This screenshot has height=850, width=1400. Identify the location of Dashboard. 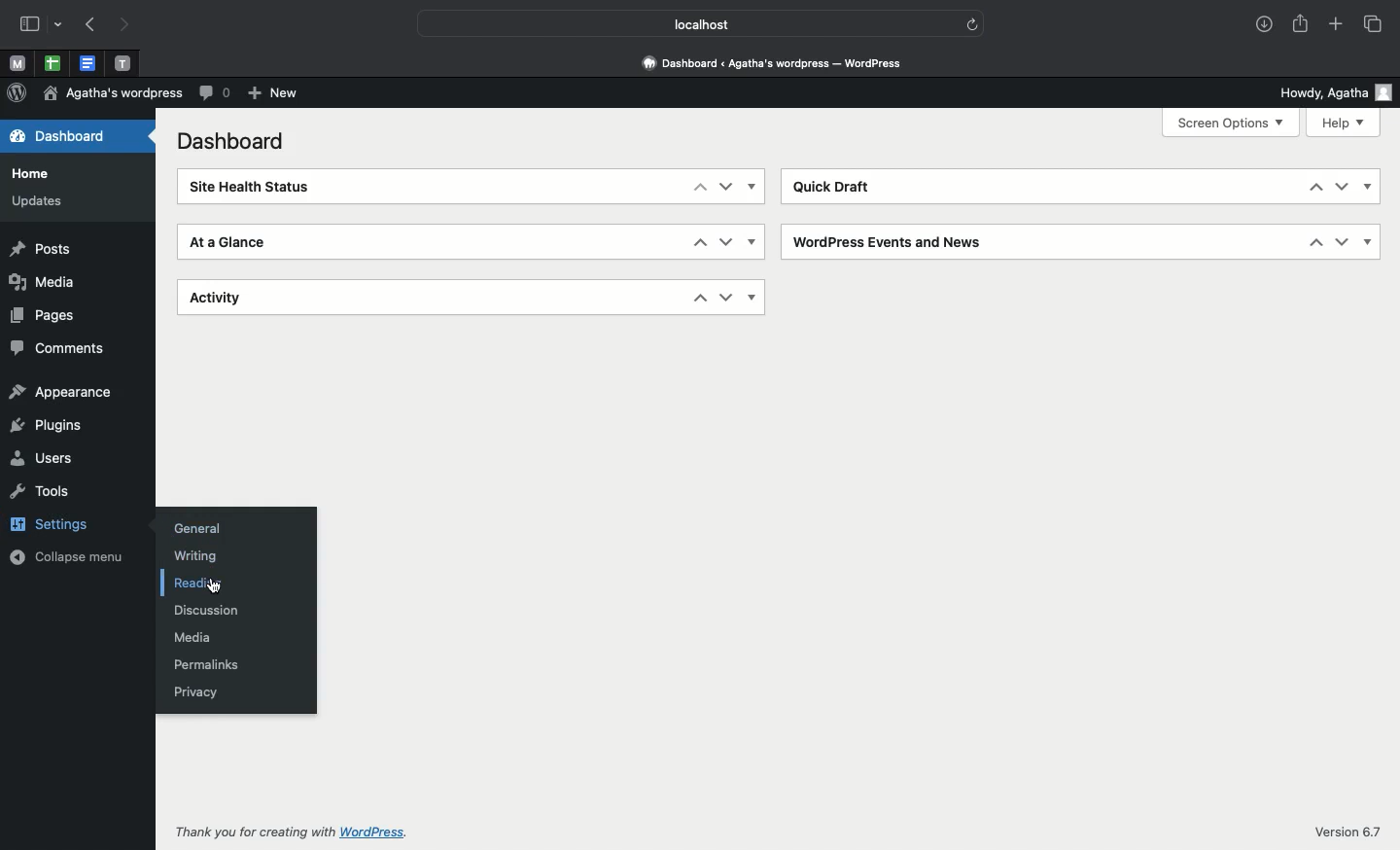
(770, 64).